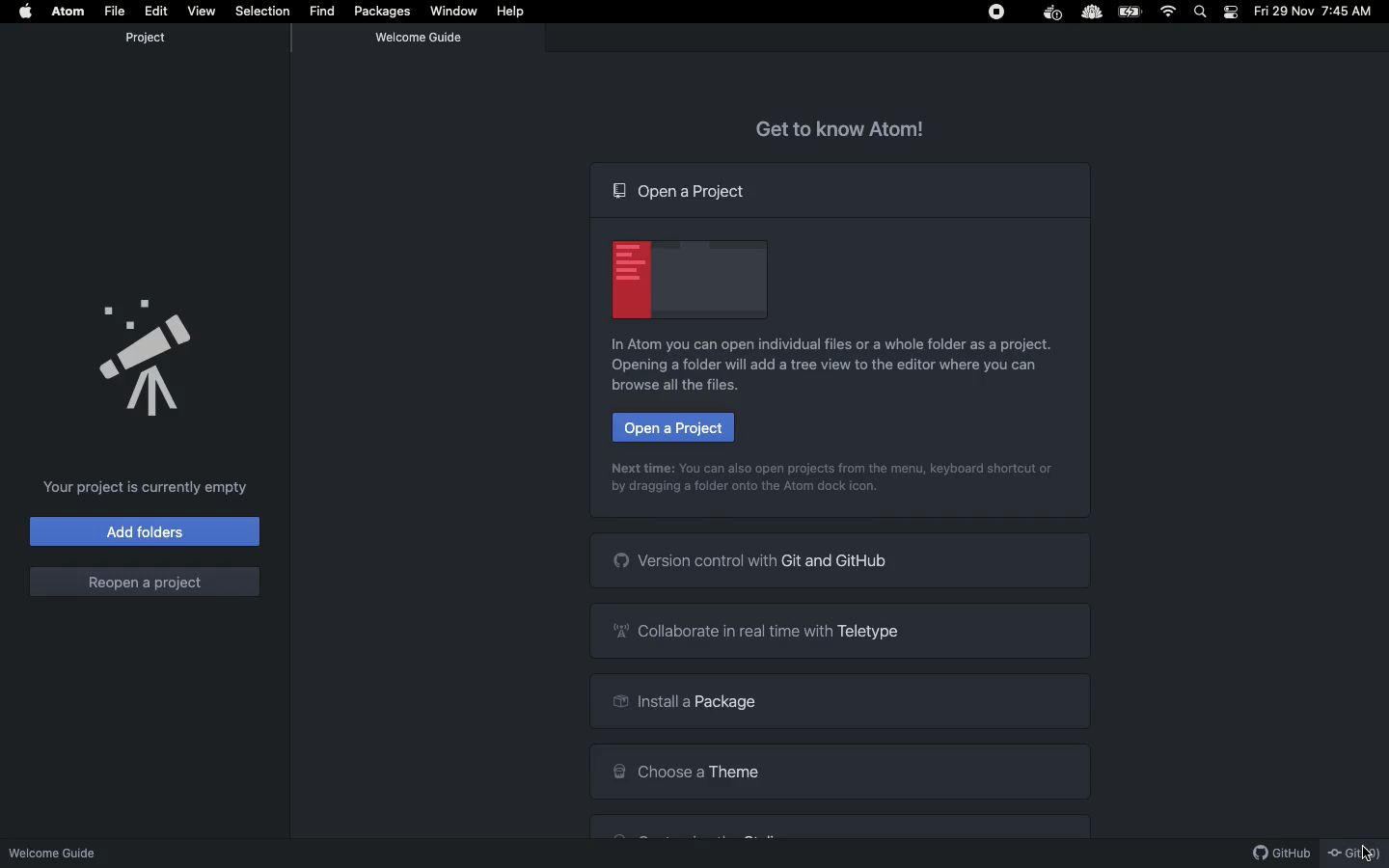 The image size is (1389, 868). What do you see at coordinates (994, 13) in the screenshot?
I see `Stop` at bounding box center [994, 13].